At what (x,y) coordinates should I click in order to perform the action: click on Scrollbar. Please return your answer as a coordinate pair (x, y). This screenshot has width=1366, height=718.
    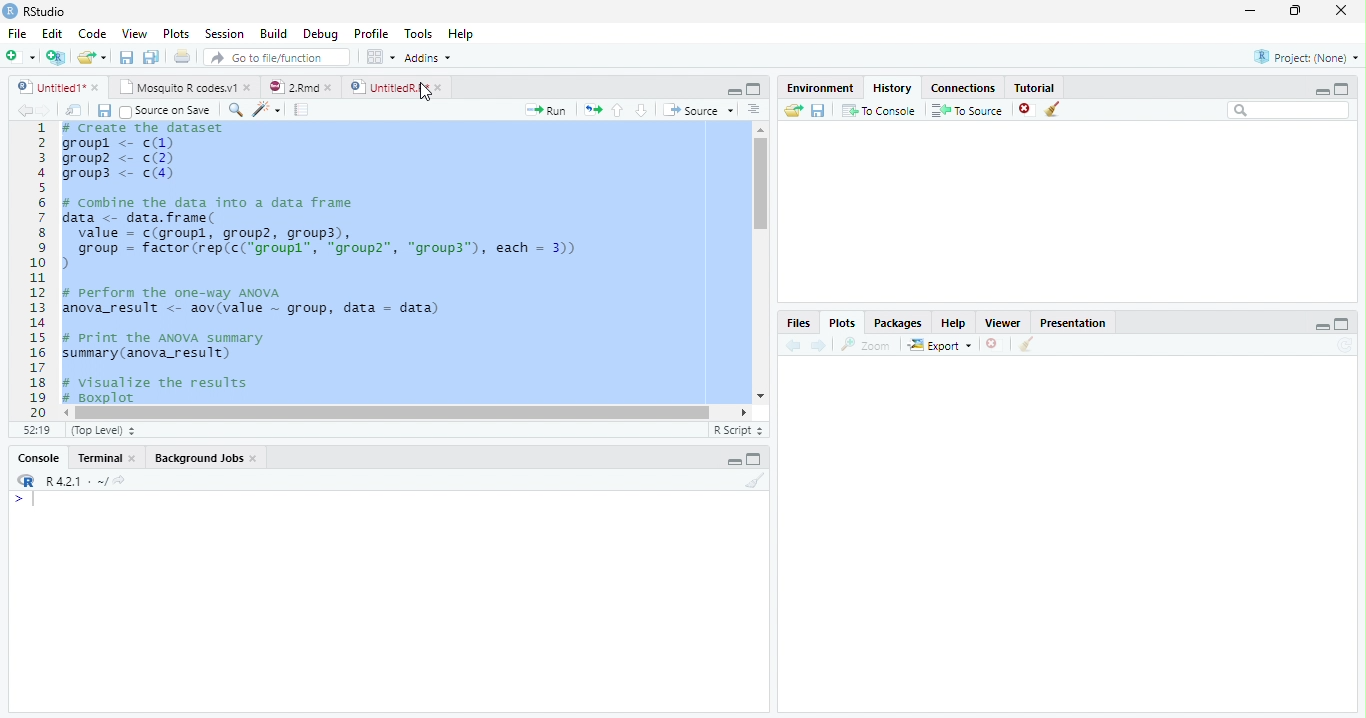
    Looking at the image, I should click on (758, 264).